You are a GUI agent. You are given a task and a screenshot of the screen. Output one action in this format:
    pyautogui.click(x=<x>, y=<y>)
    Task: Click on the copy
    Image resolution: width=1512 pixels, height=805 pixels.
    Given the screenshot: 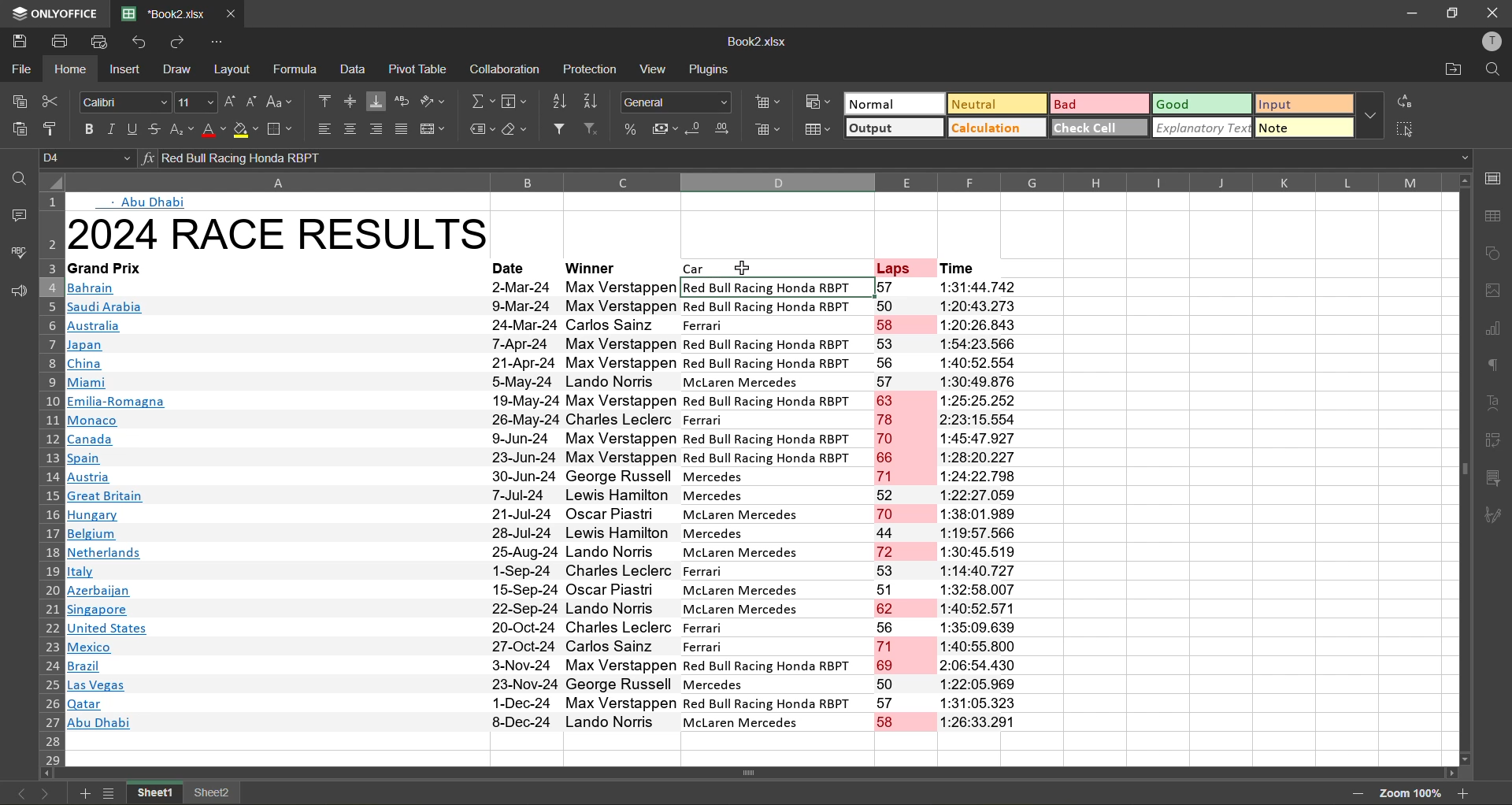 What is the action you would take?
    pyautogui.click(x=16, y=102)
    